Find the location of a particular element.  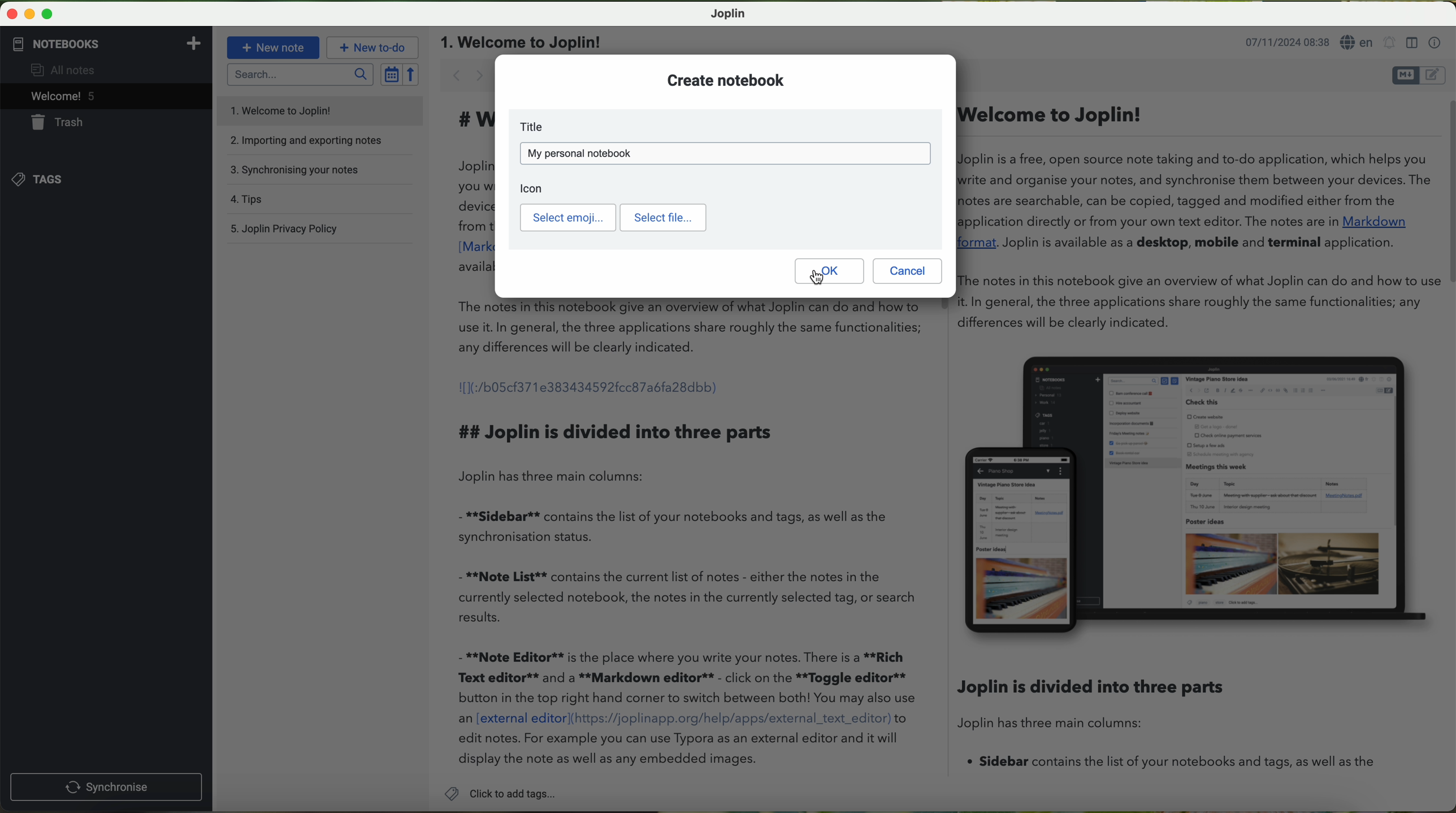

toggle editor layout is located at coordinates (1411, 43).